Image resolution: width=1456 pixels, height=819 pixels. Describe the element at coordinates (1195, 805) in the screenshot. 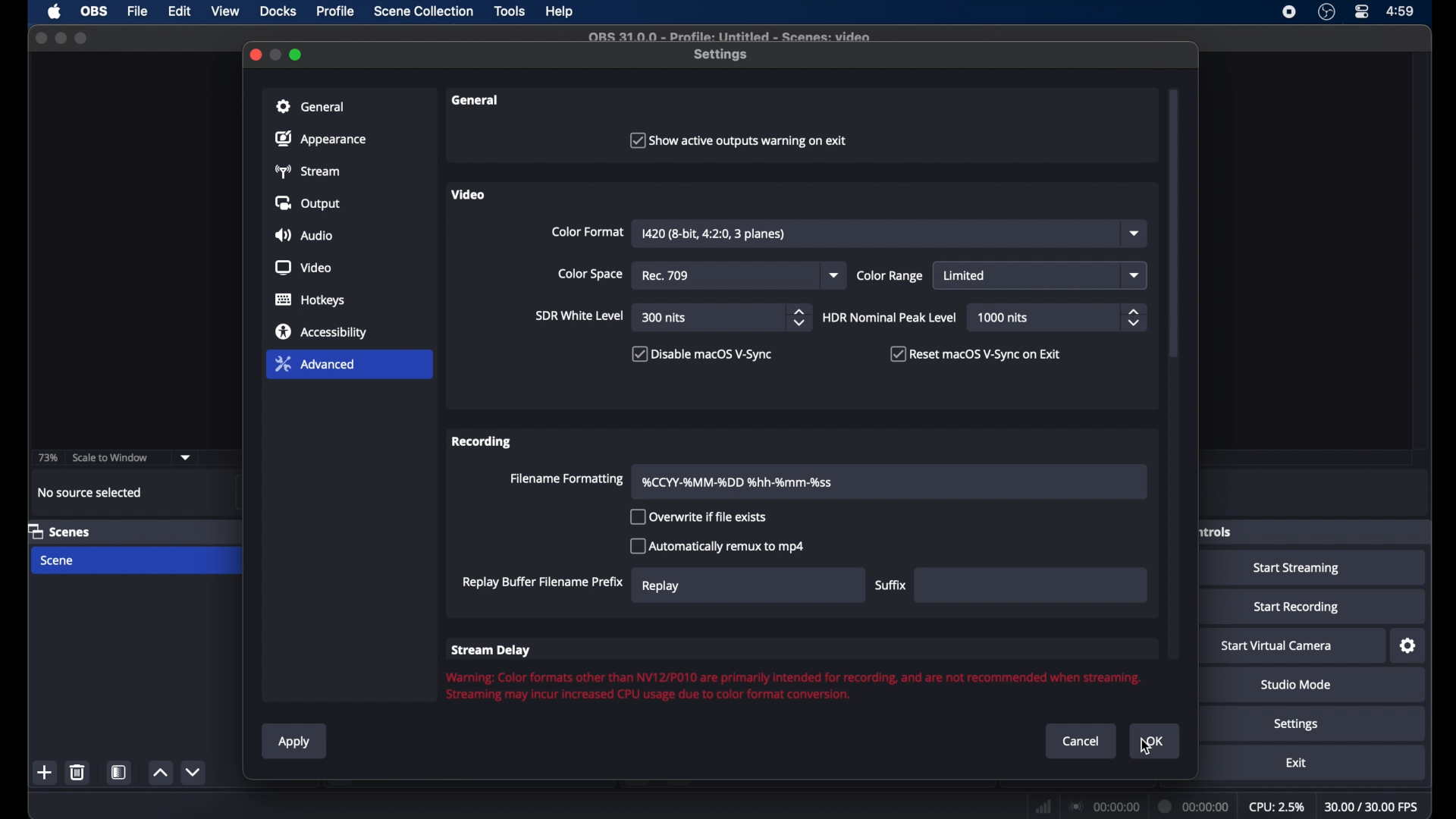

I see `00:00:00` at that location.